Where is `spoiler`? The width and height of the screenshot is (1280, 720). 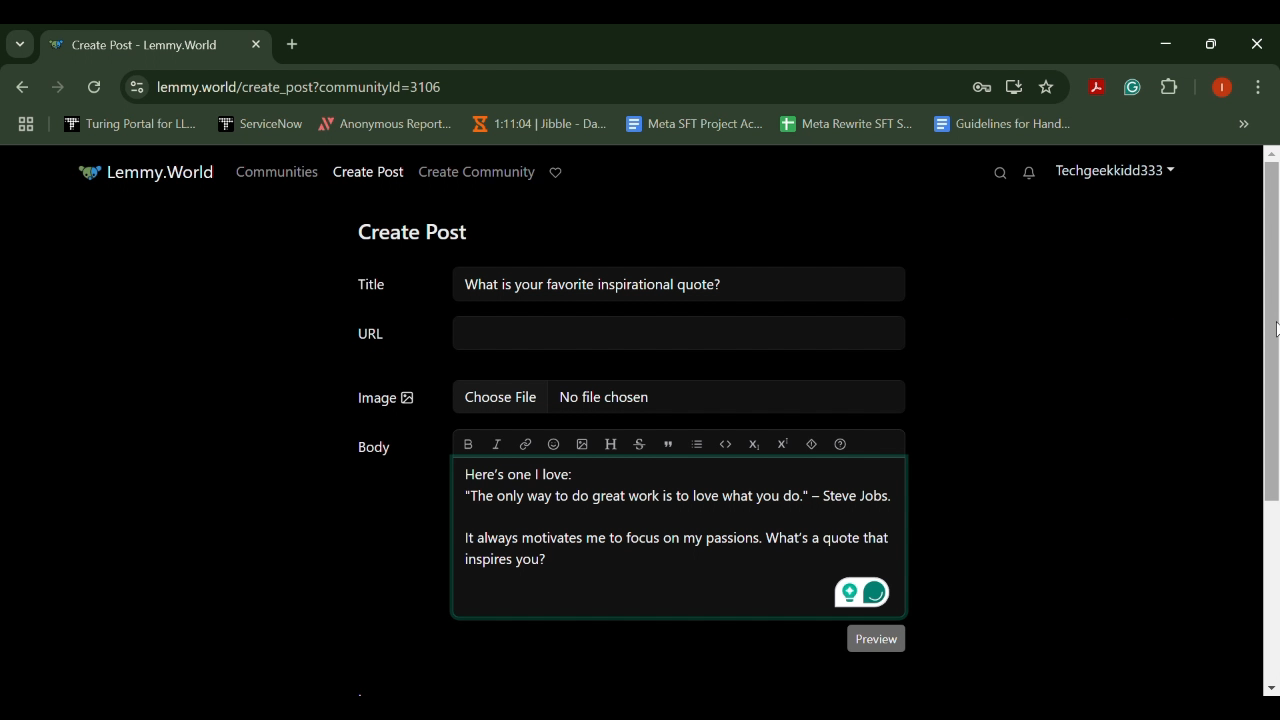
spoiler is located at coordinates (811, 443).